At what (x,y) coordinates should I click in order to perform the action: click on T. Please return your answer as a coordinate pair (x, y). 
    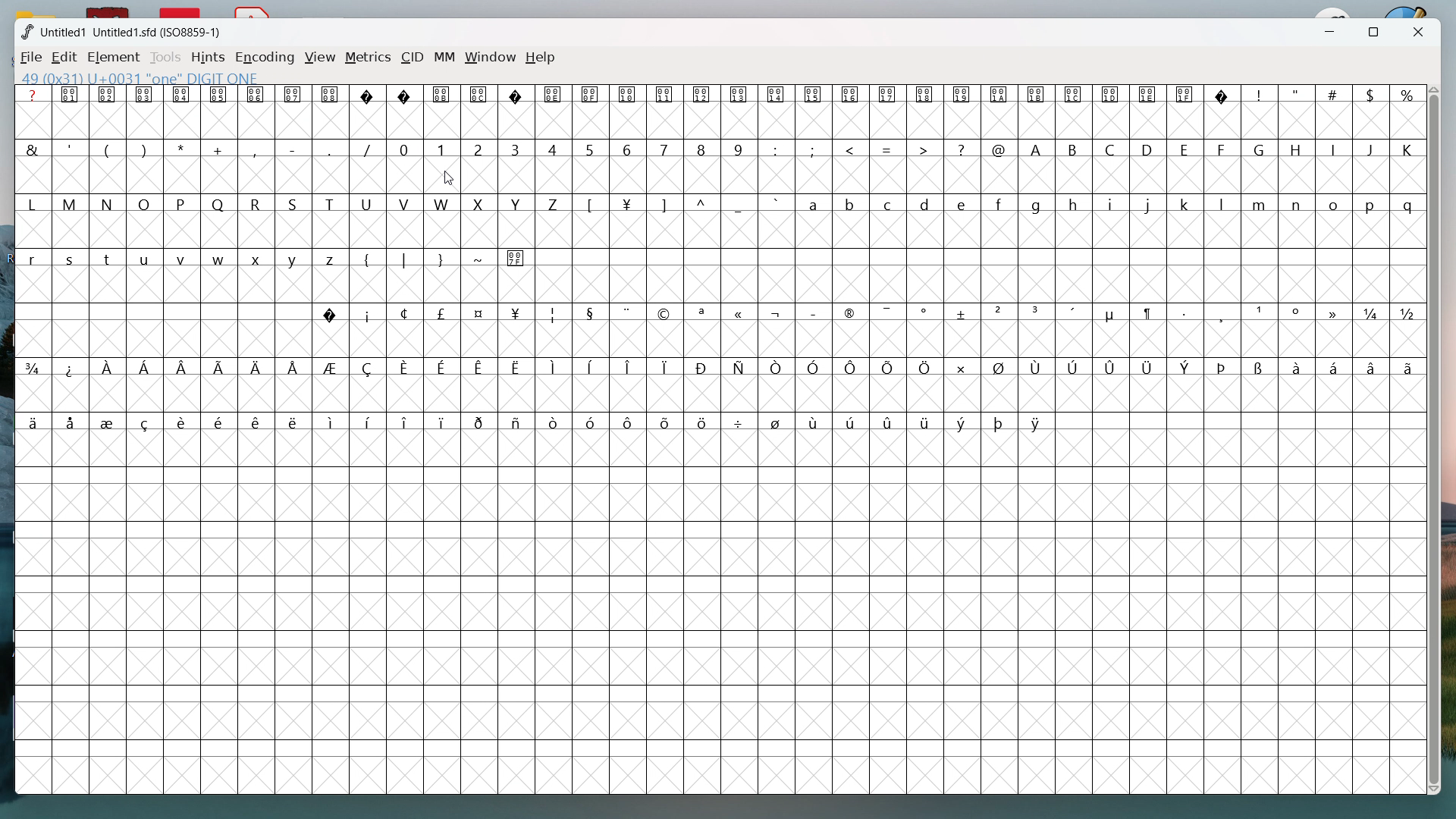
    Looking at the image, I should click on (332, 204).